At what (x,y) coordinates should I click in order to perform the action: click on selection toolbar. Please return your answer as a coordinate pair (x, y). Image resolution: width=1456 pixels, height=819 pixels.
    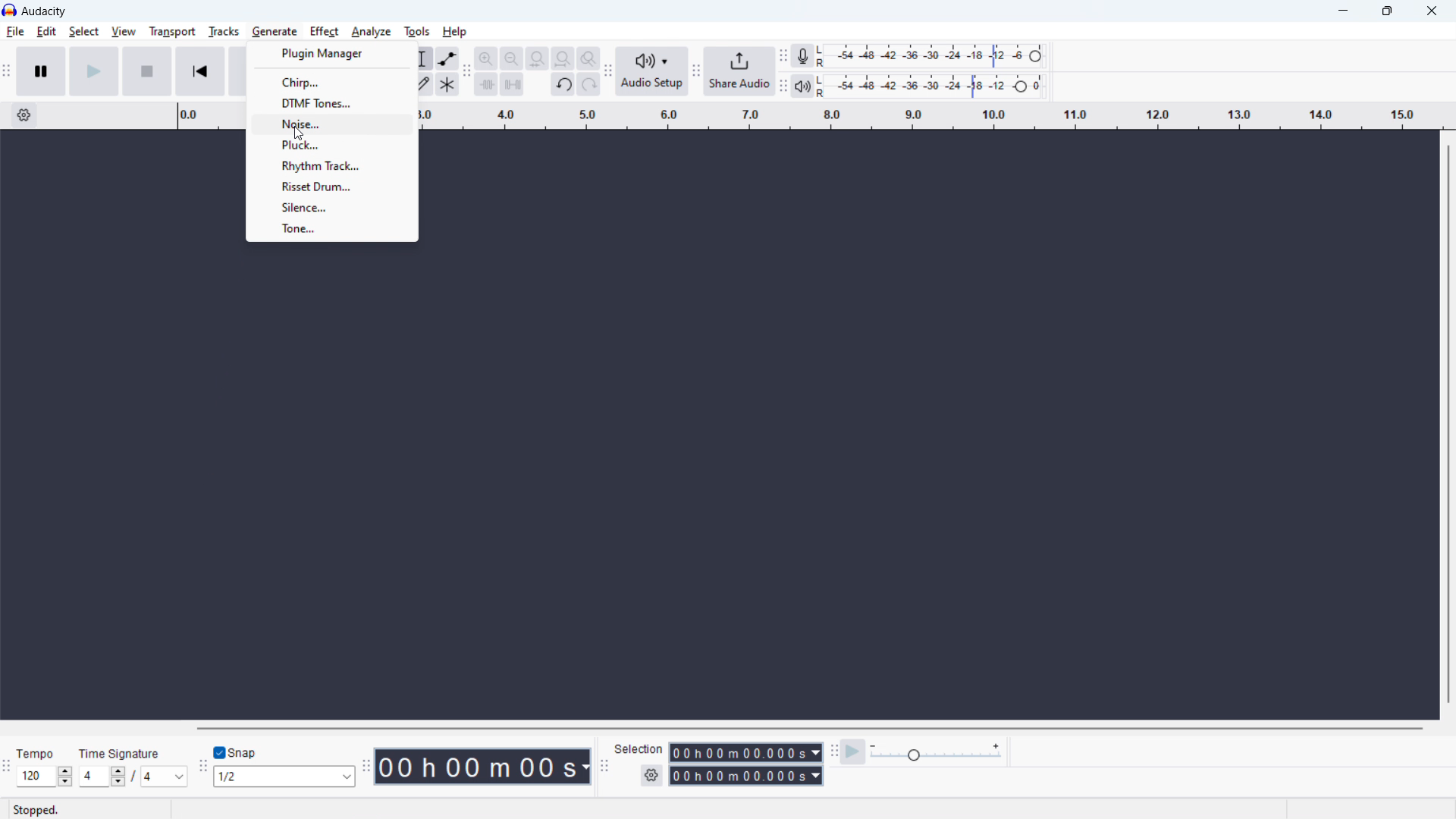
    Looking at the image, I should click on (604, 767).